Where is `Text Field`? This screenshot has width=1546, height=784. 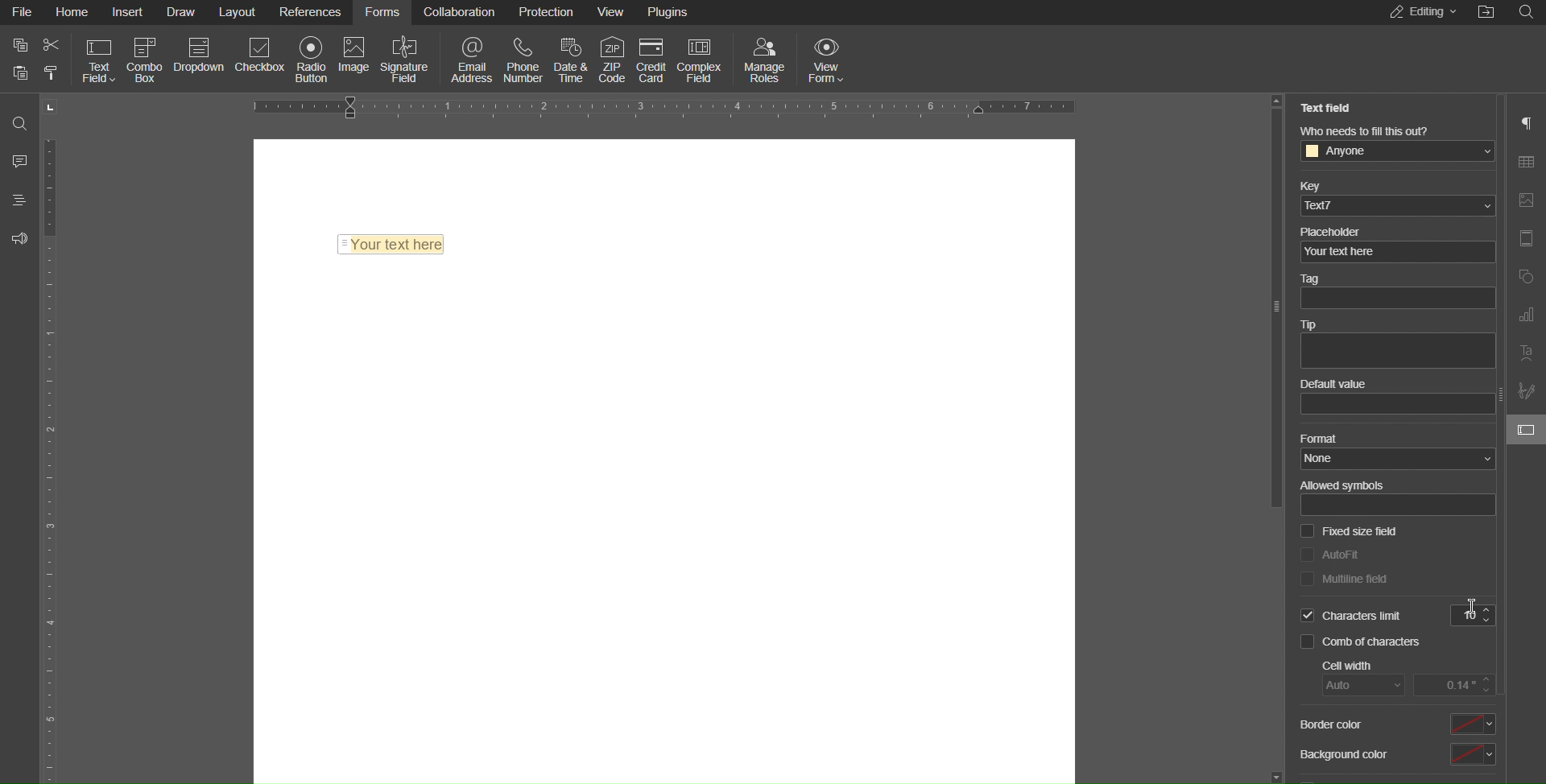
Text Field is located at coordinates (96, 60).